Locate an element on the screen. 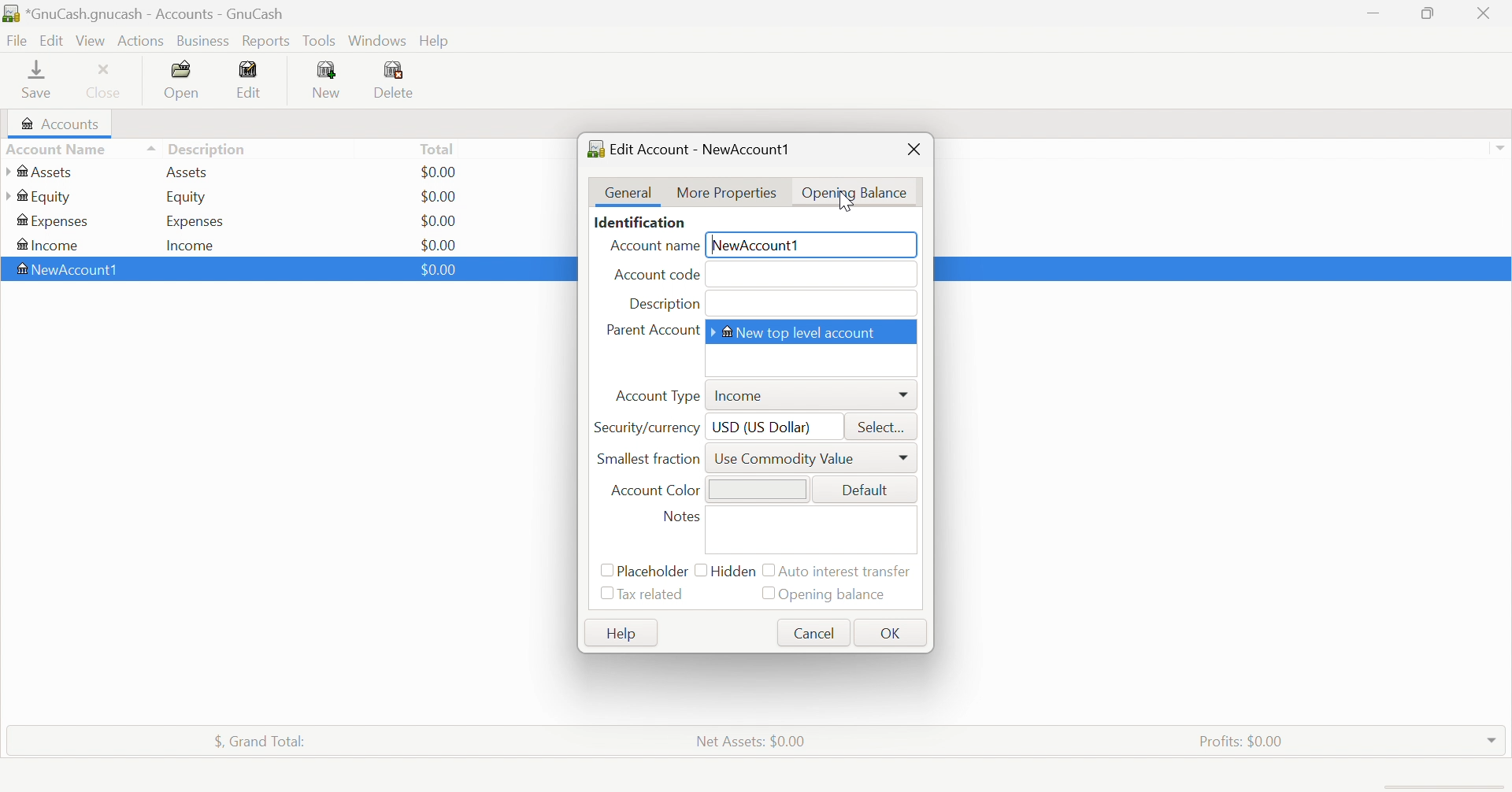 The height and width of the screenshot is (792, 1512). Actions is located at coordinates (142, 41).